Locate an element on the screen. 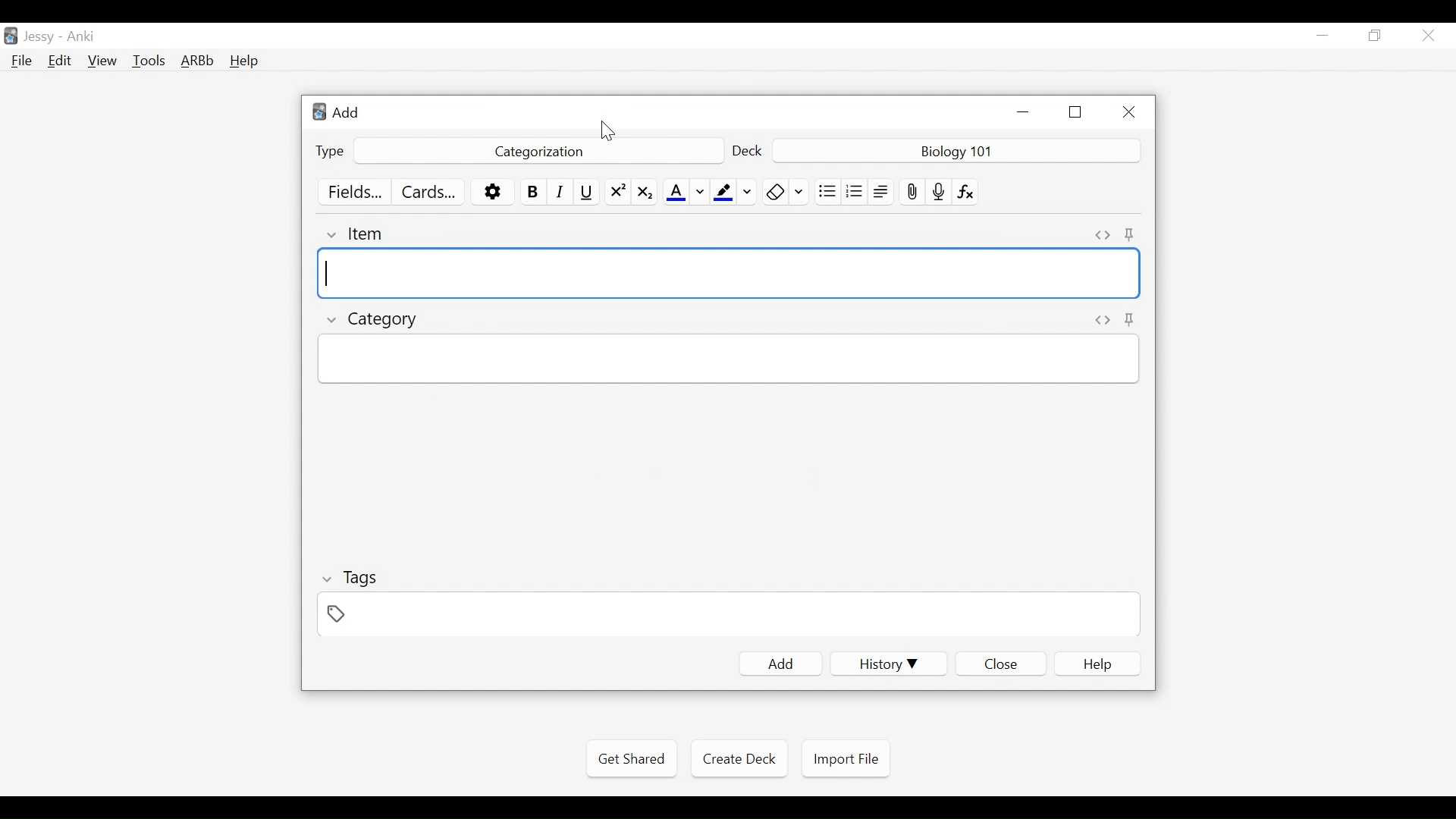 The width and height of the screenshot is (1456, 819). Toggle HTML Editor is located at coordinates (1103, 322).